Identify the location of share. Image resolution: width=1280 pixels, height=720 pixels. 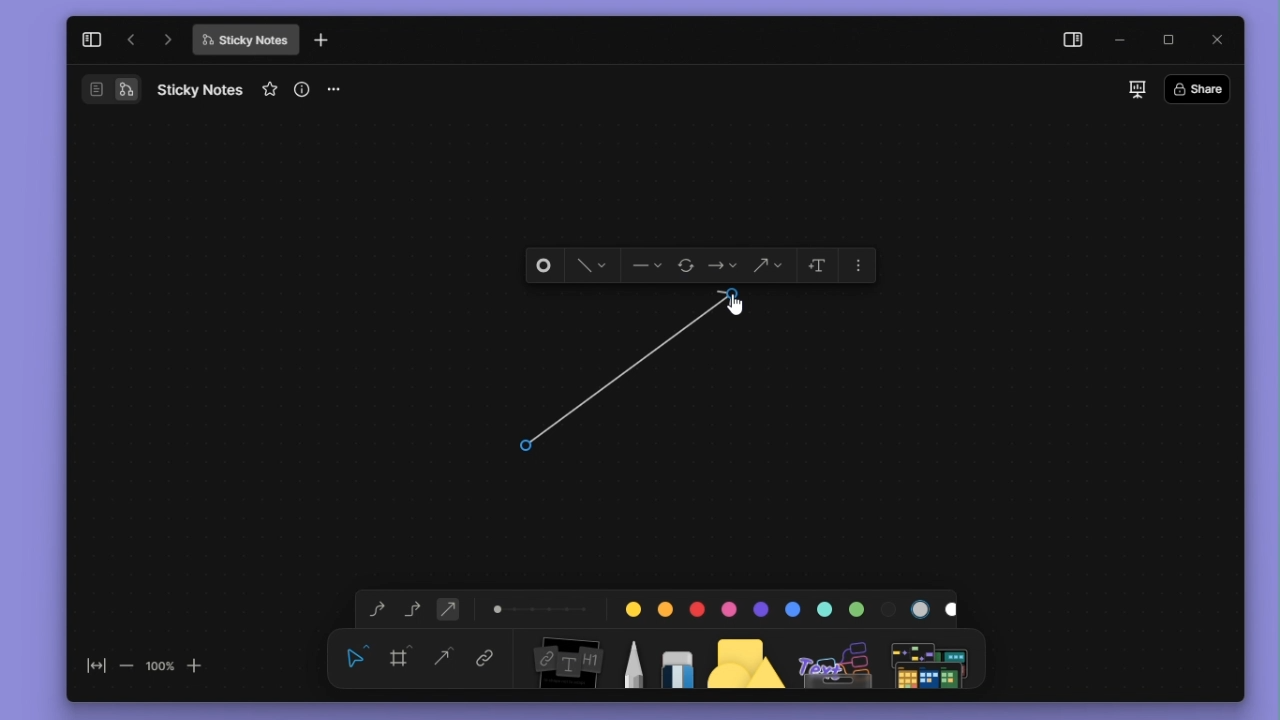
(1203, 88).